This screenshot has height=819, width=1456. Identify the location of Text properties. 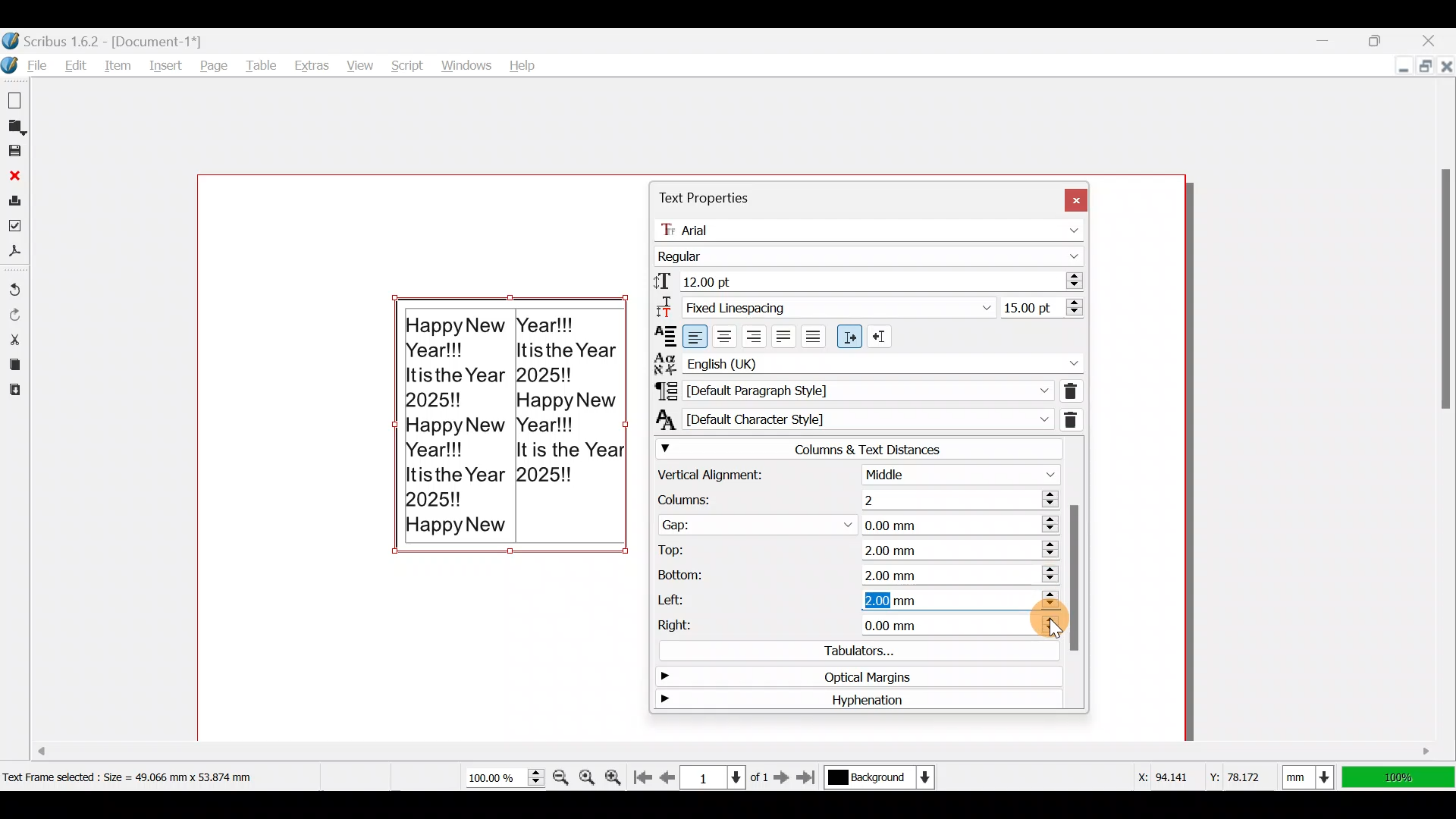
(704, 198).